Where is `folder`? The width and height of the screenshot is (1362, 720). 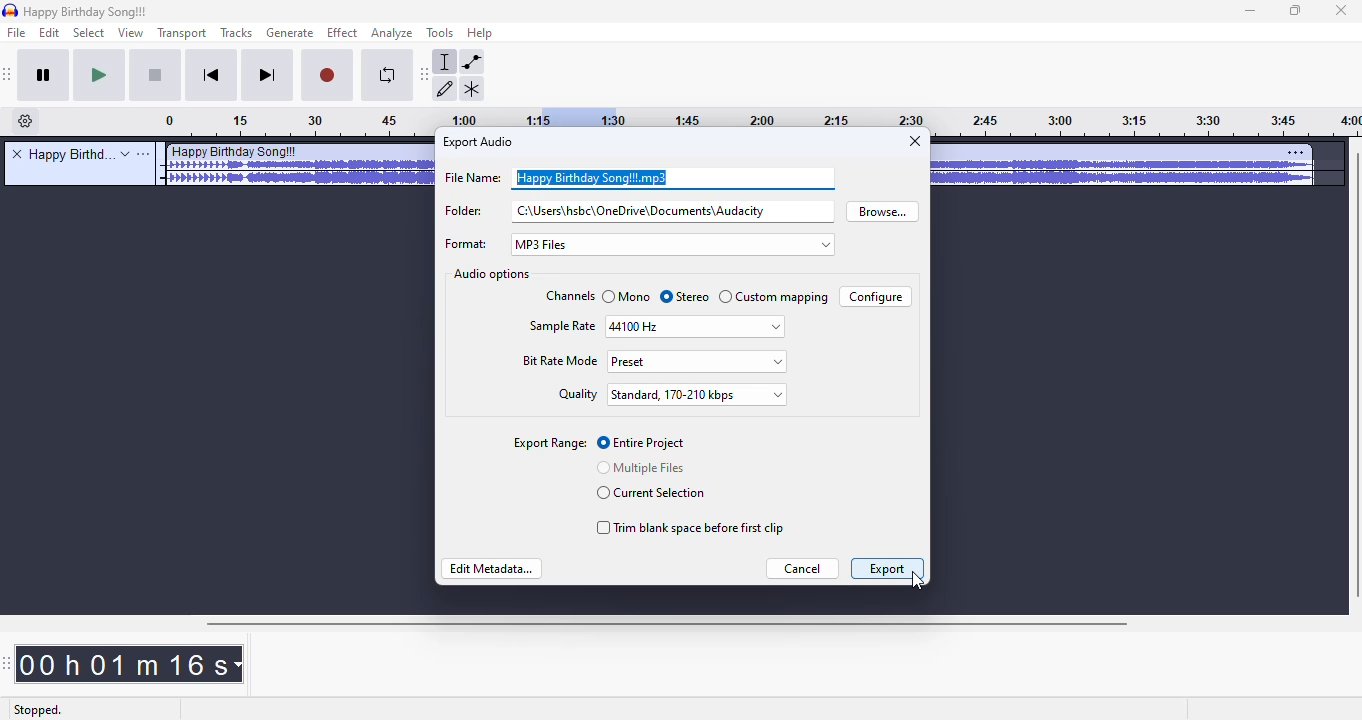 folder is located at coordinates (638, 212).